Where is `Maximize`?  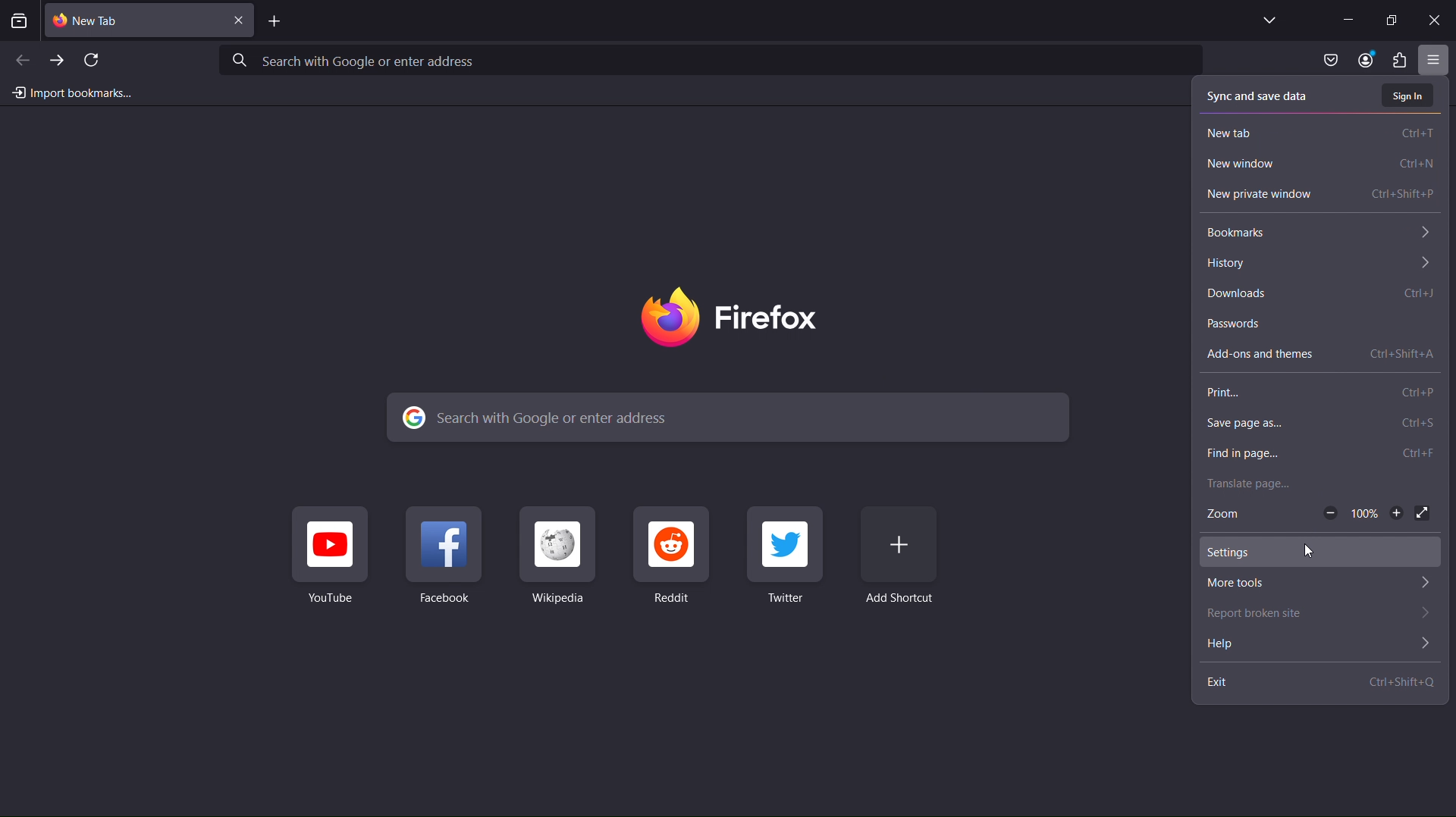
Maximize is located at coordinates (1395, 19).